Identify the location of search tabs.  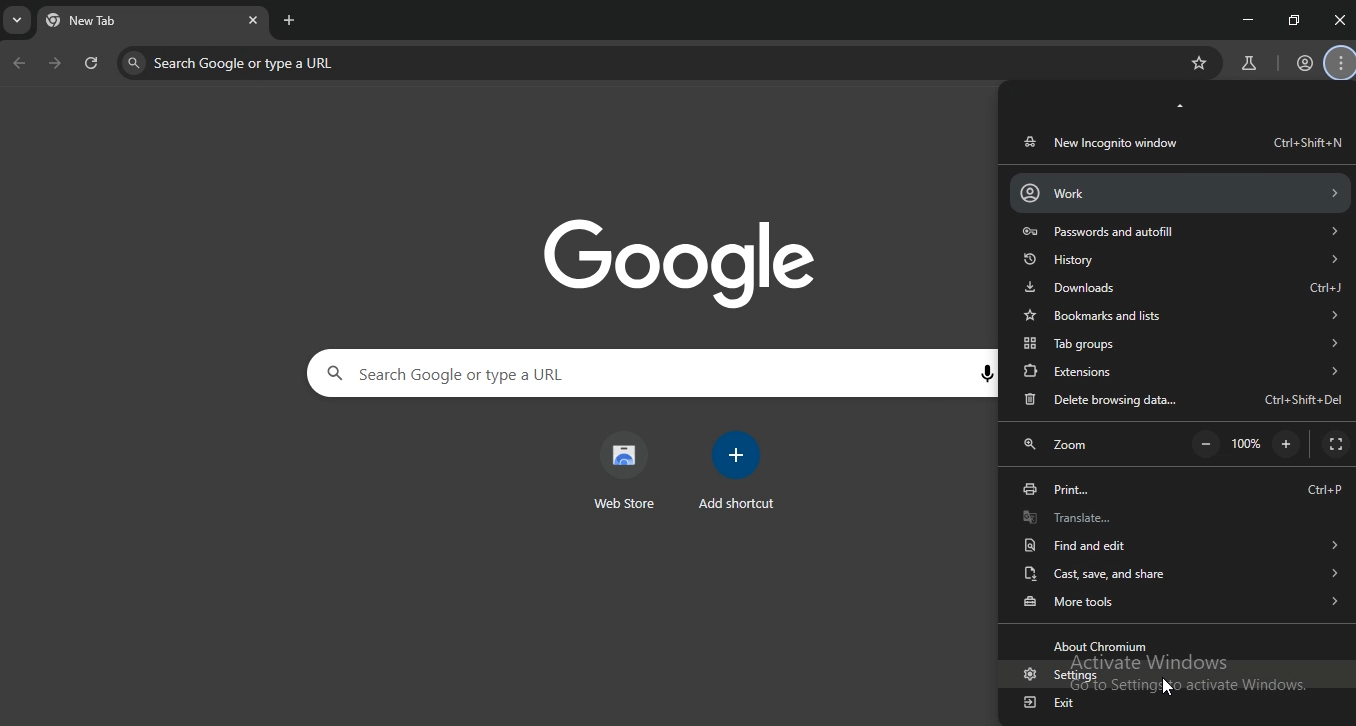
(19, 23).